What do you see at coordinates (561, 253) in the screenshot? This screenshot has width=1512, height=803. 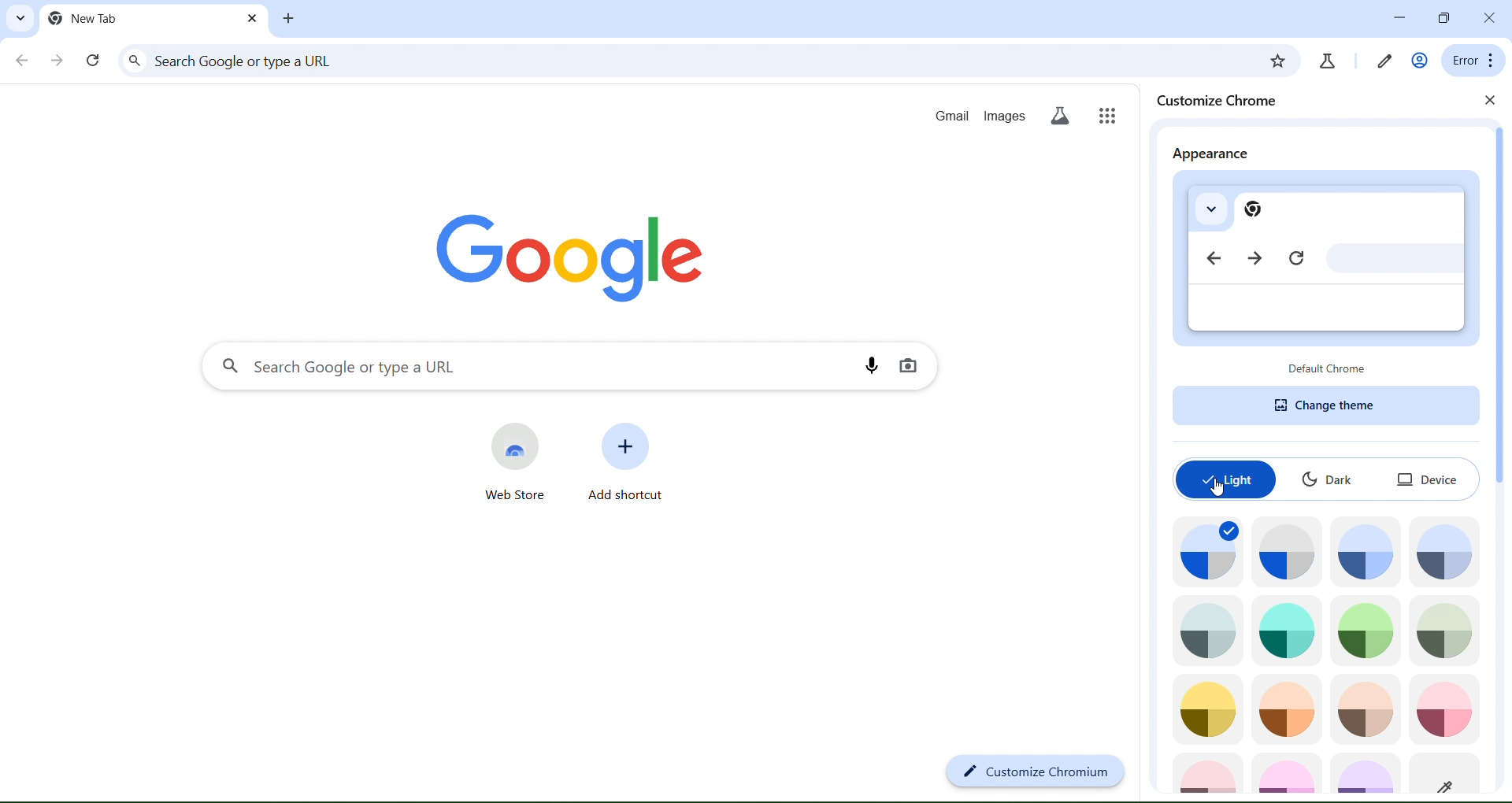 I see `google` at bounding box center [561, 253].